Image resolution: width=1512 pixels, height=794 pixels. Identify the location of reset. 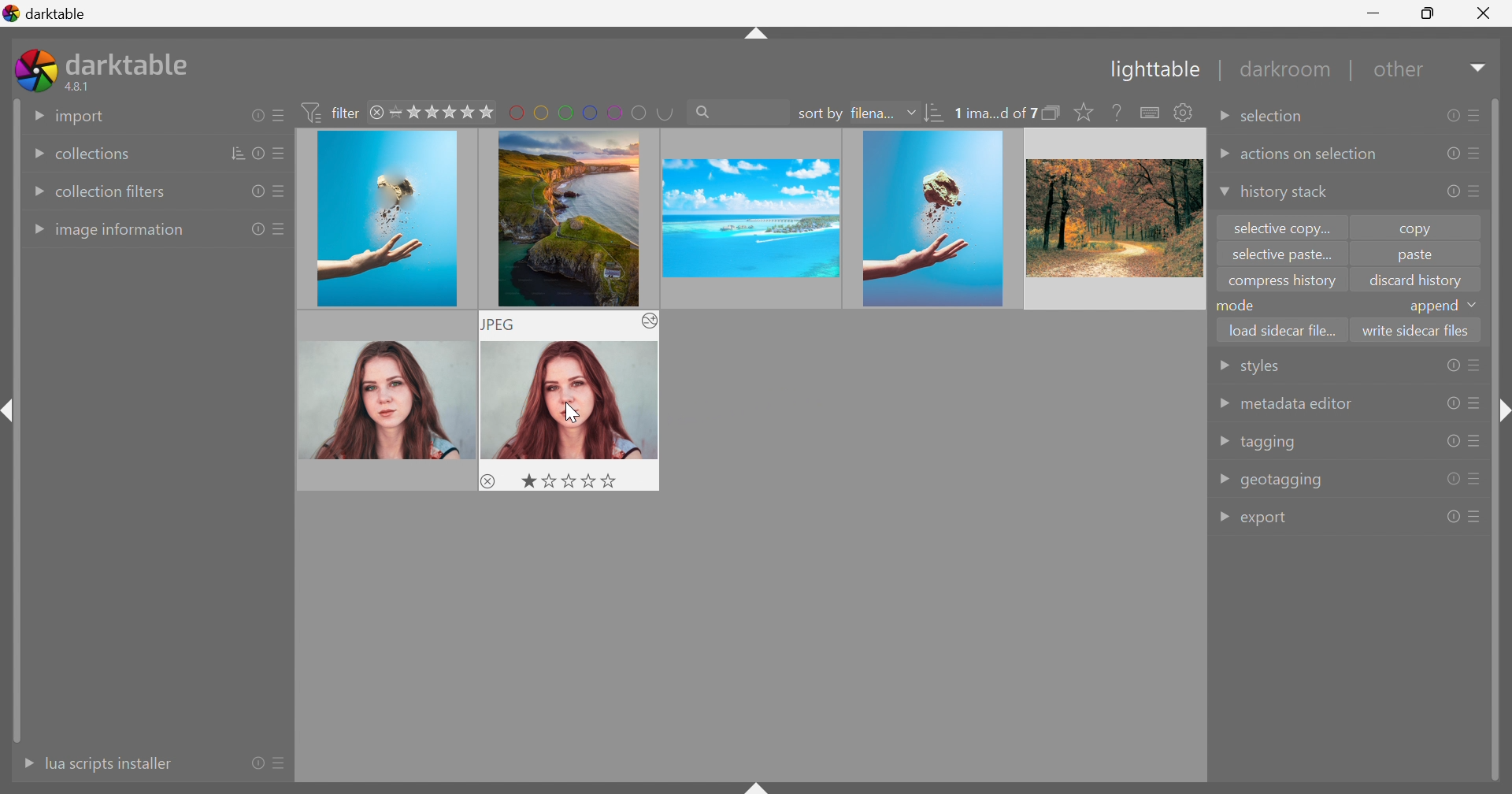
(1453, 517).